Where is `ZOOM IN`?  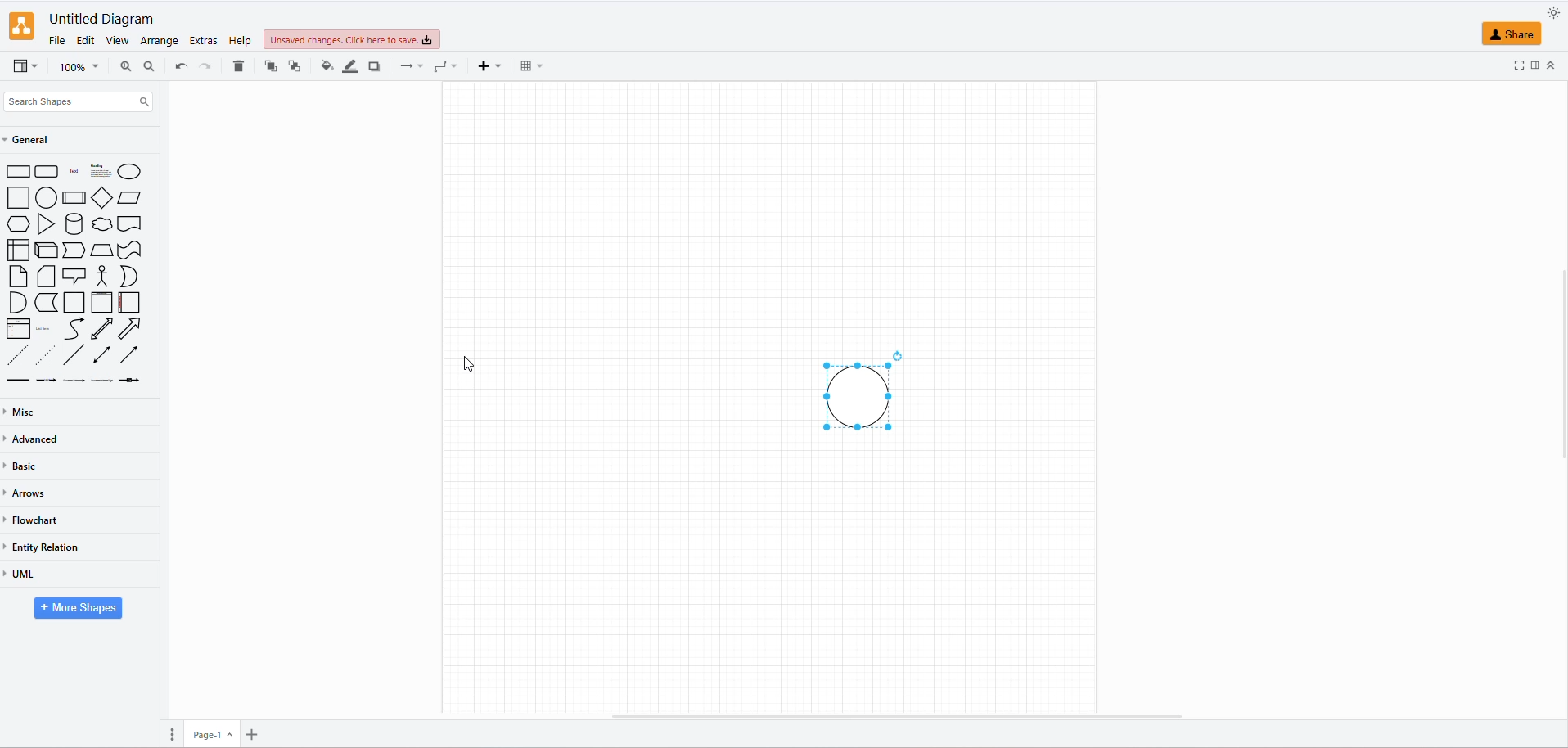
ZOOM IN is located at coordinates (122, 67).